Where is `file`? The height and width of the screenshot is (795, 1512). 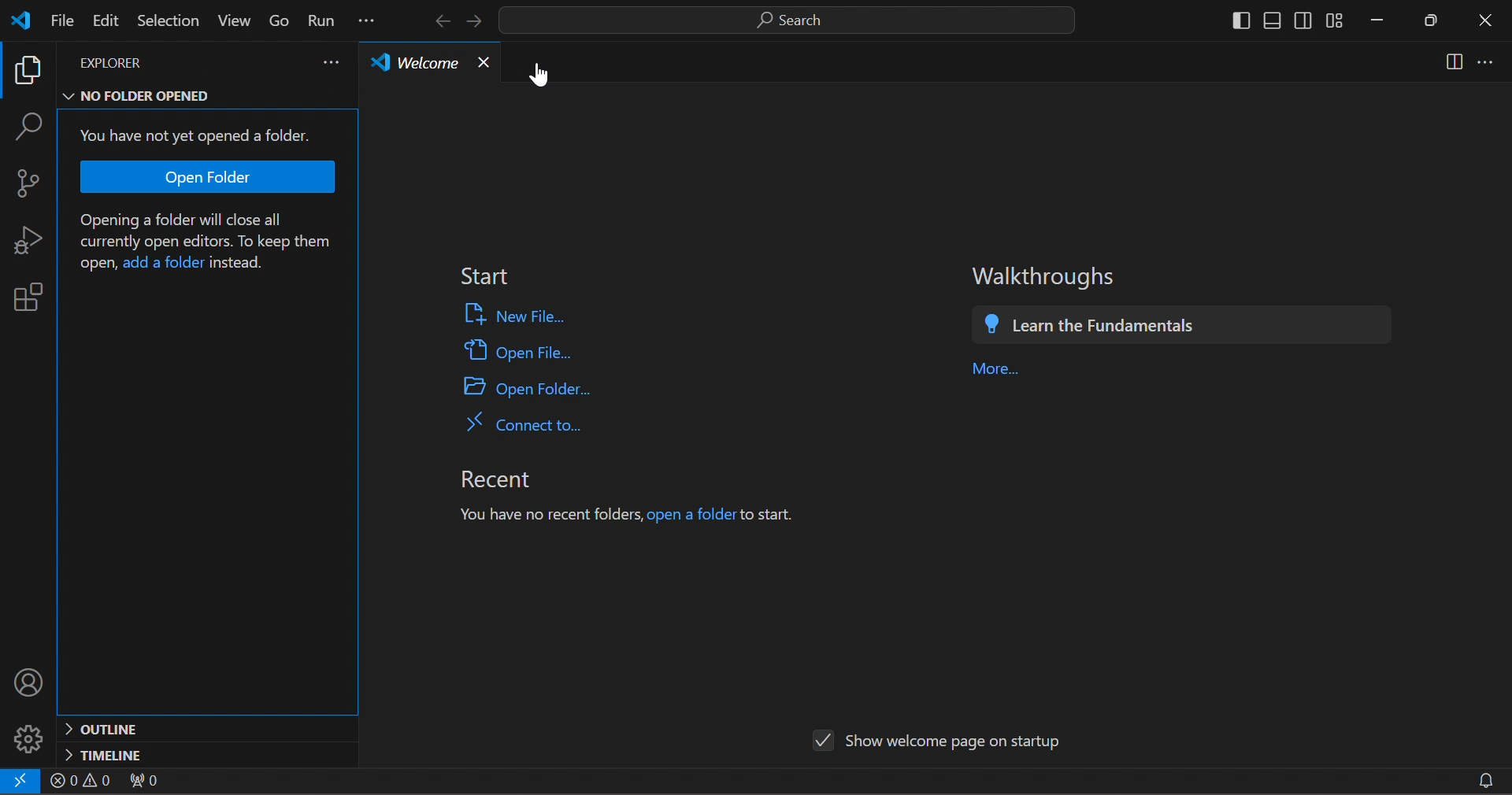
file is located at coordinates (61, 22).